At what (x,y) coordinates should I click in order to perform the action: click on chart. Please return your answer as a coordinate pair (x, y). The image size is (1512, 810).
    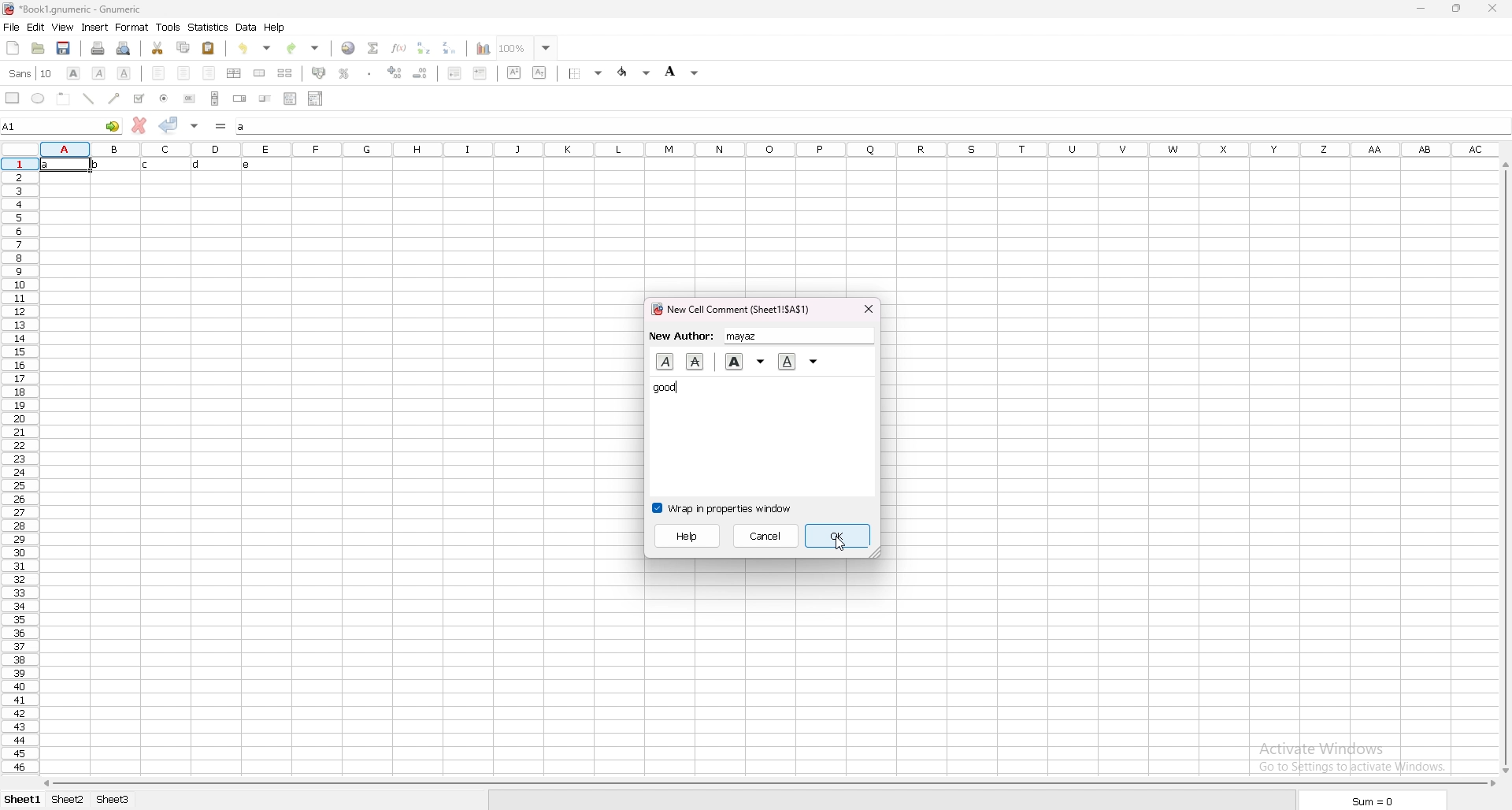
    Looking at the image, I should click on (484, 48).